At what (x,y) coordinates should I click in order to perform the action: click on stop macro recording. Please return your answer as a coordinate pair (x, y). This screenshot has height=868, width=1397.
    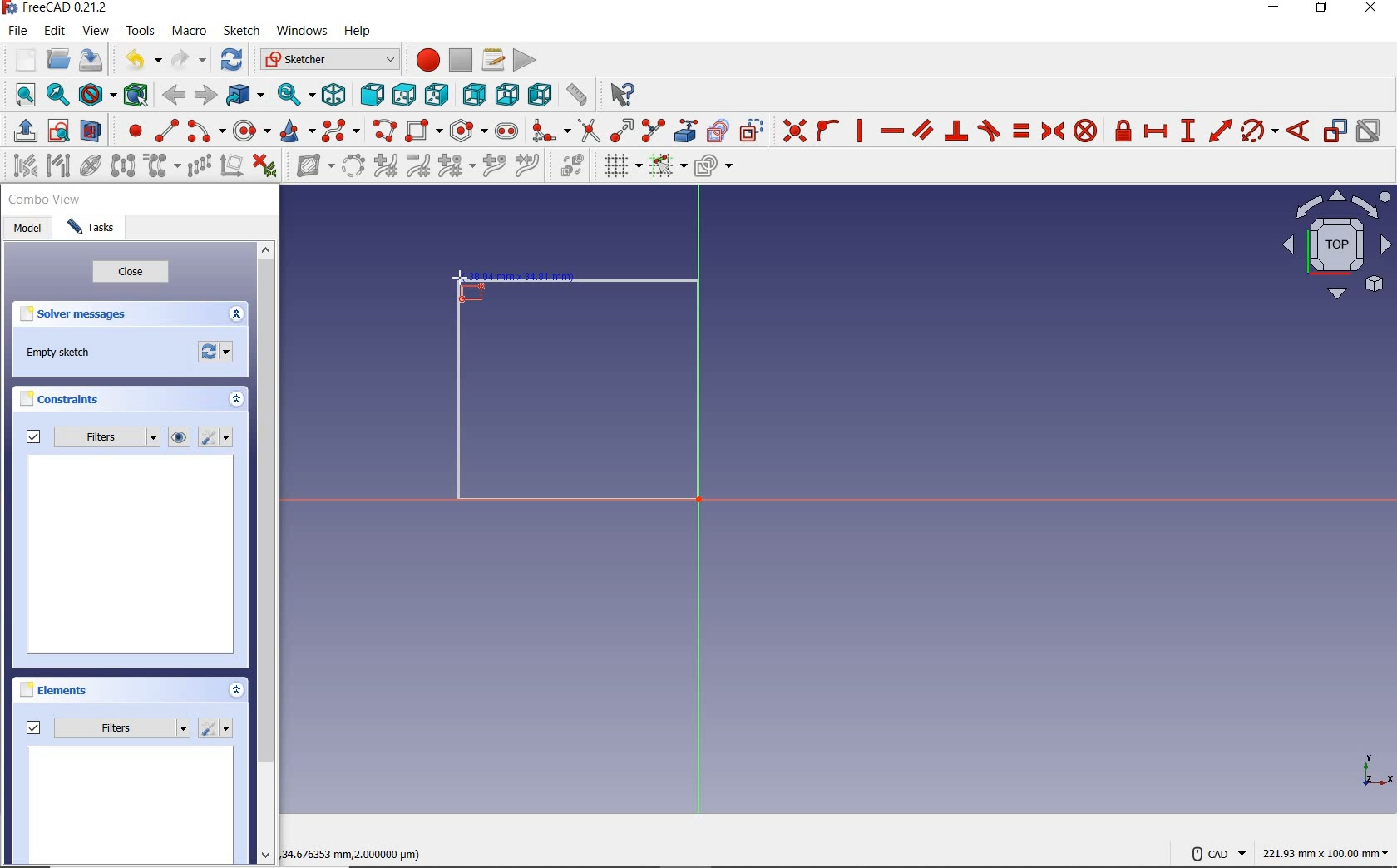
    Looking at the image, I should click on (461, 61).